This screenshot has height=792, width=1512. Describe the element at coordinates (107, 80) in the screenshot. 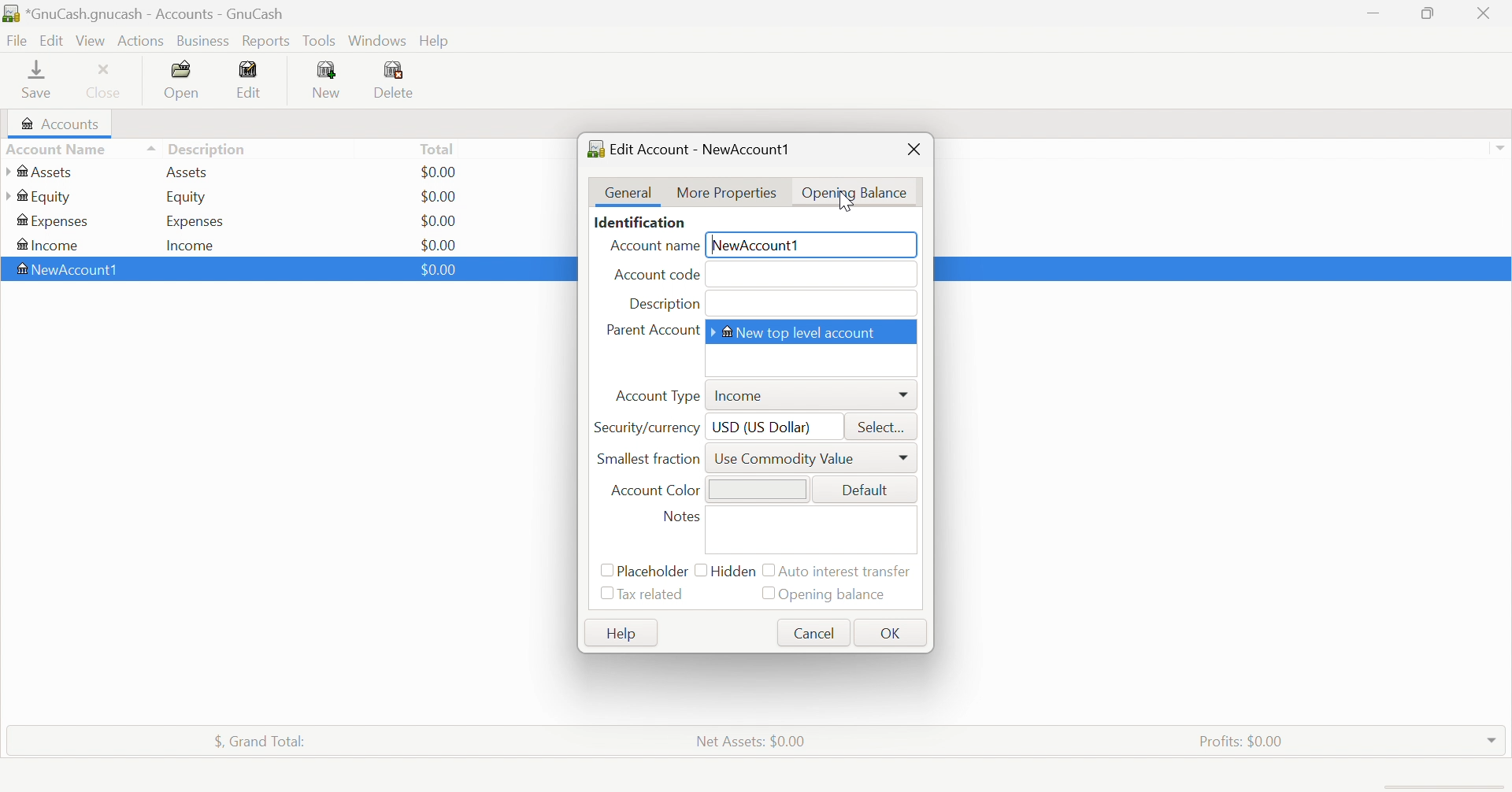

I see `Close` at that location.